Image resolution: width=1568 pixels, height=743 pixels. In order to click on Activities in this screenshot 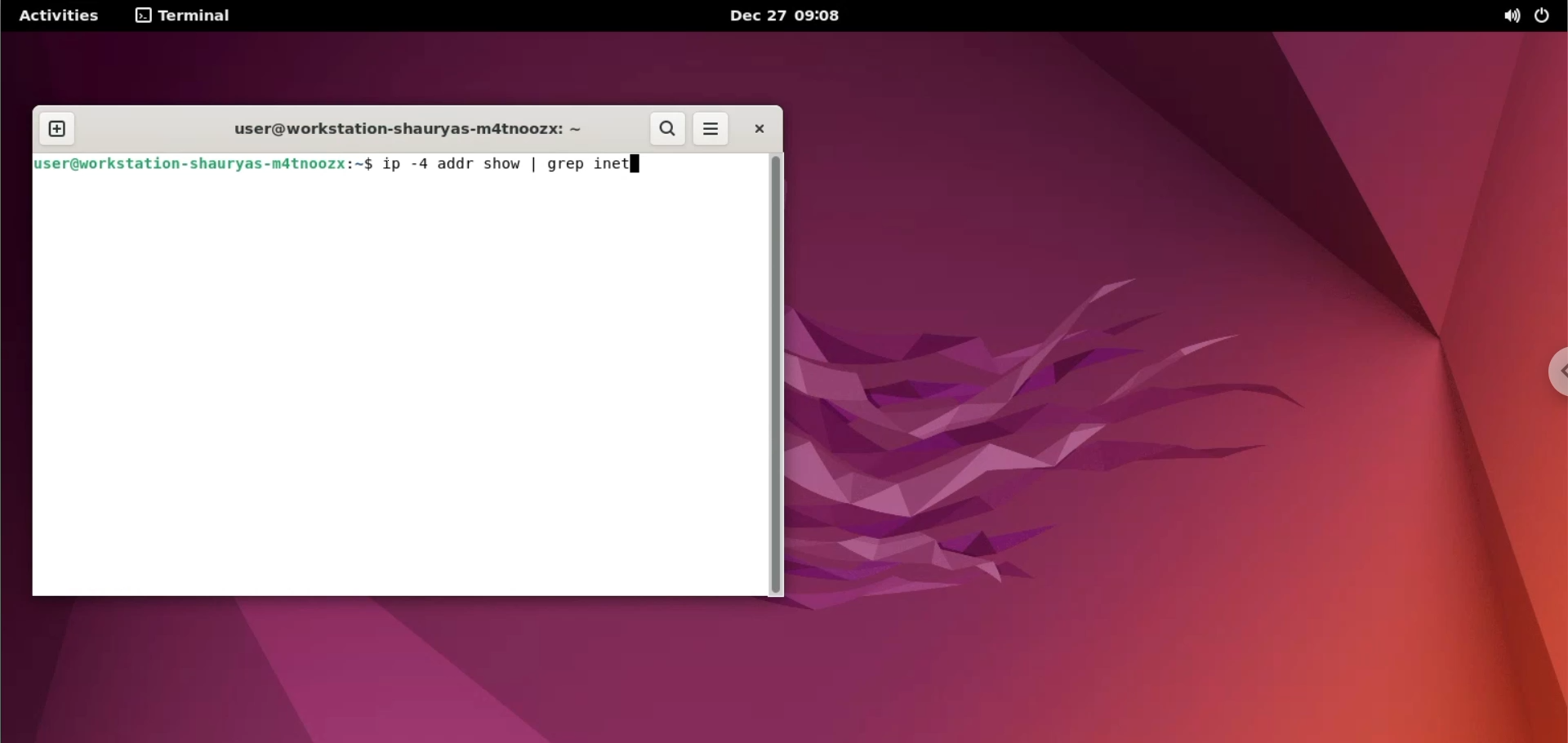, I will do `click(60, 15)`.